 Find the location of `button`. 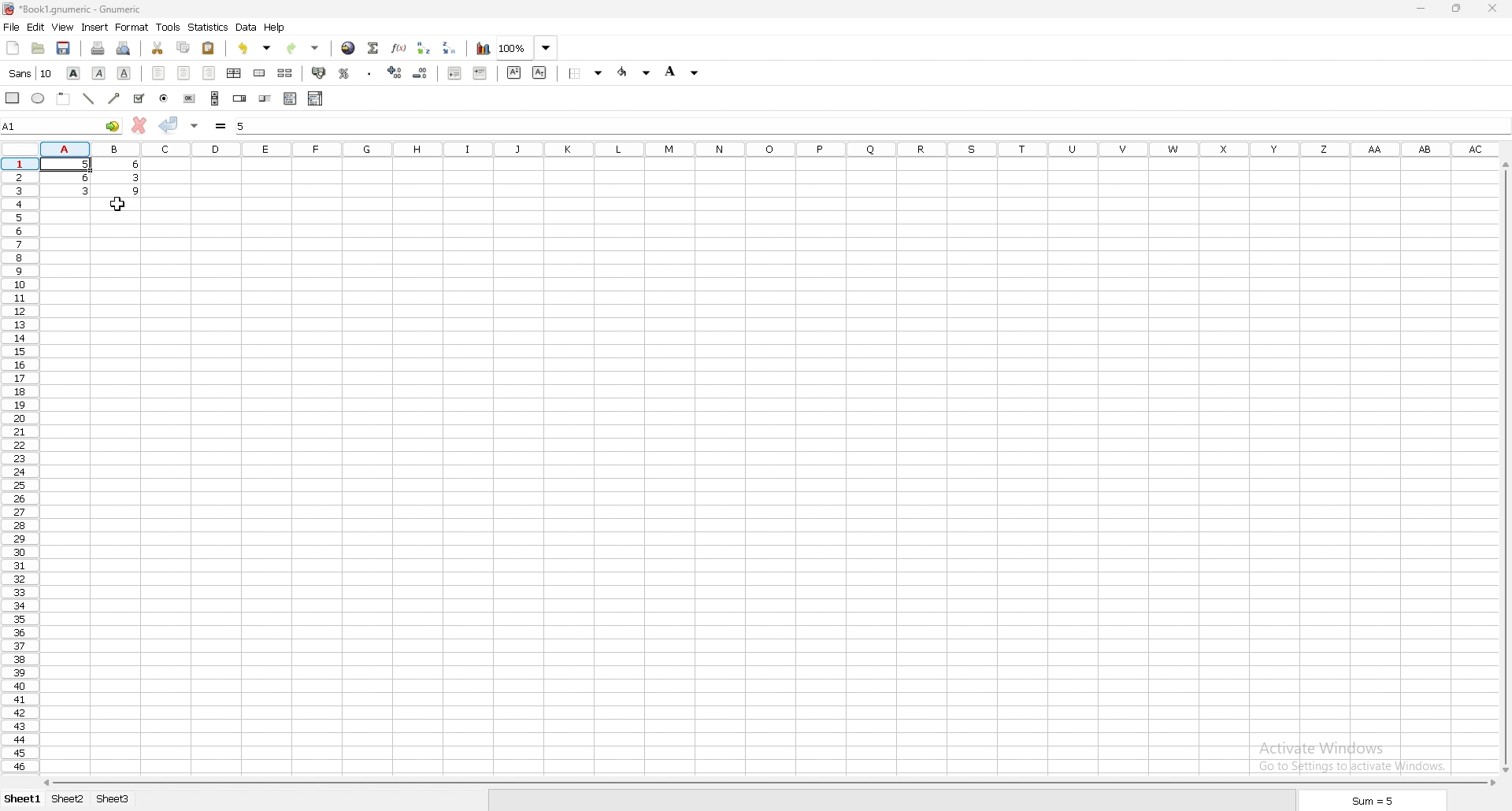

button is located at coordinates (190, 98).